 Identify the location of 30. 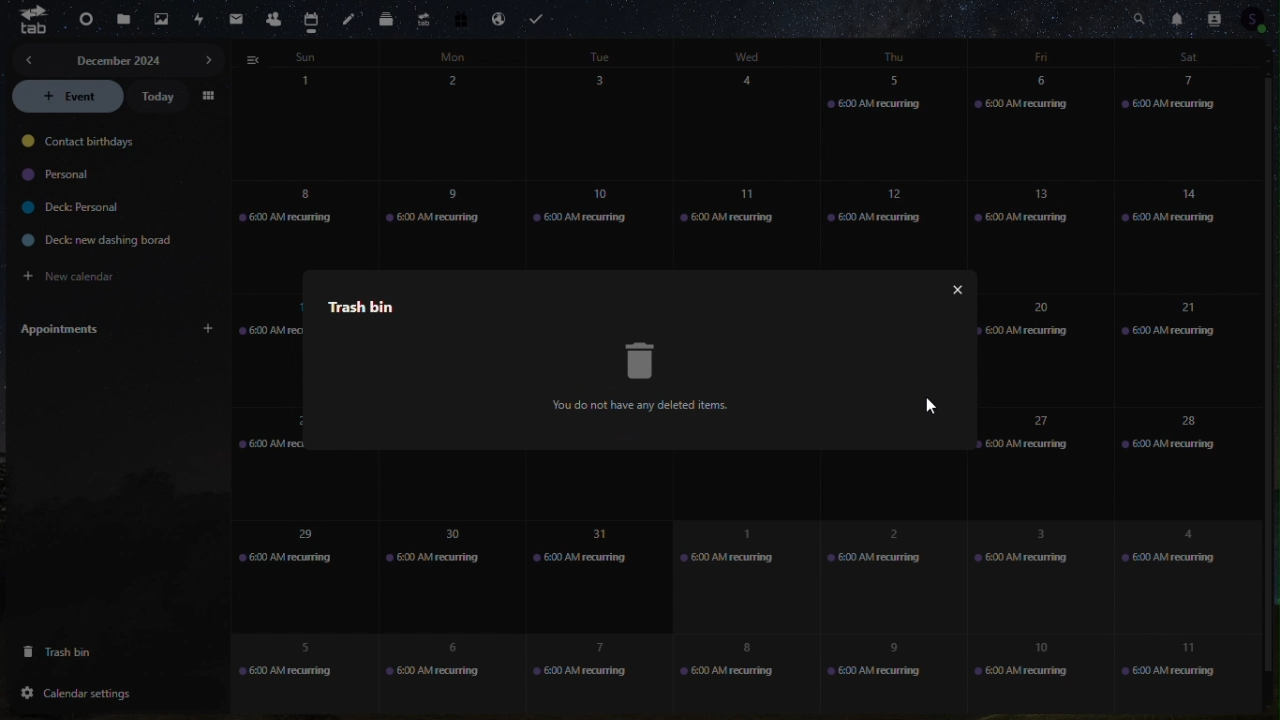
(438, 574).